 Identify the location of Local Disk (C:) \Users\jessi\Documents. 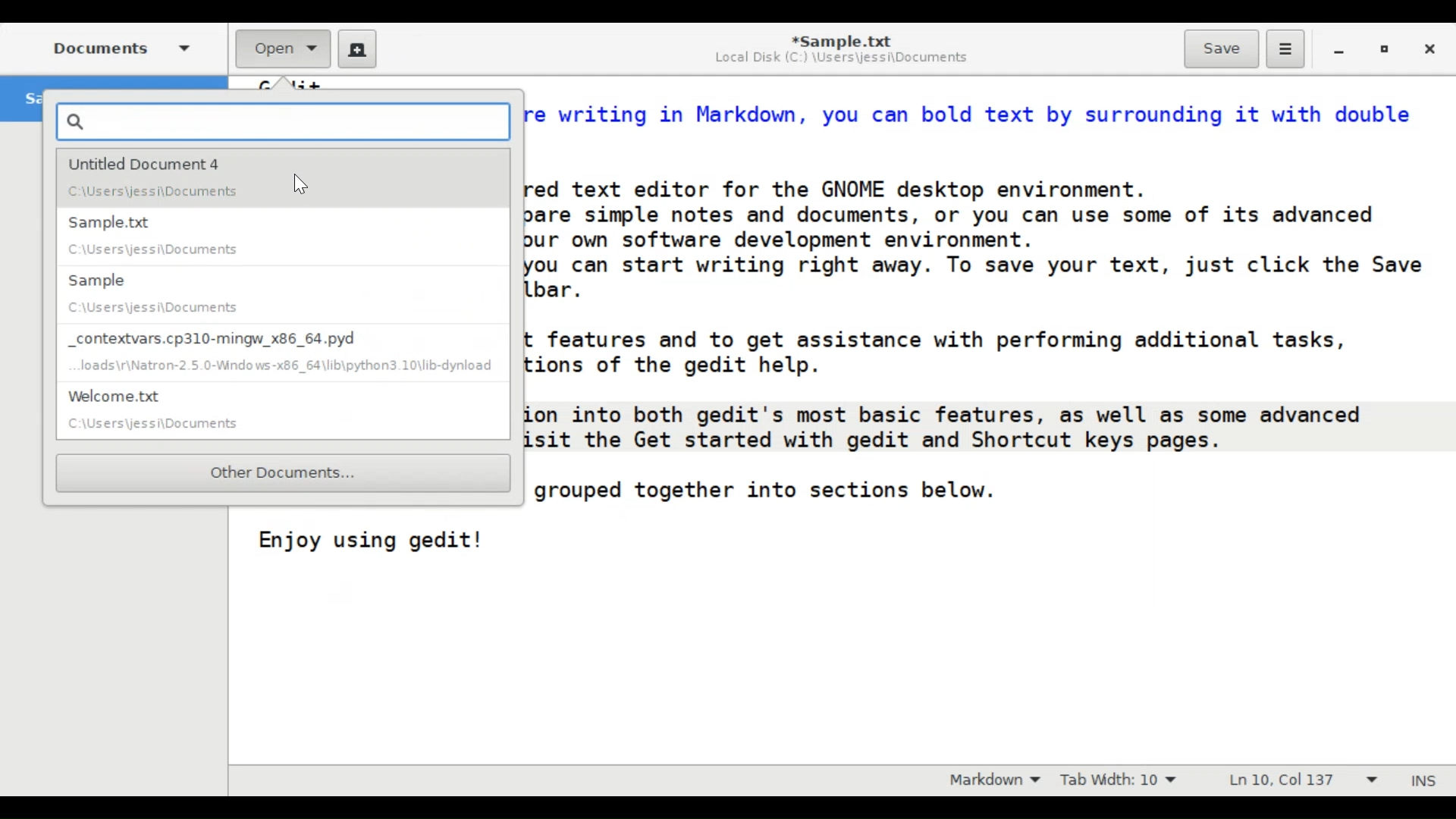
(841, 60).